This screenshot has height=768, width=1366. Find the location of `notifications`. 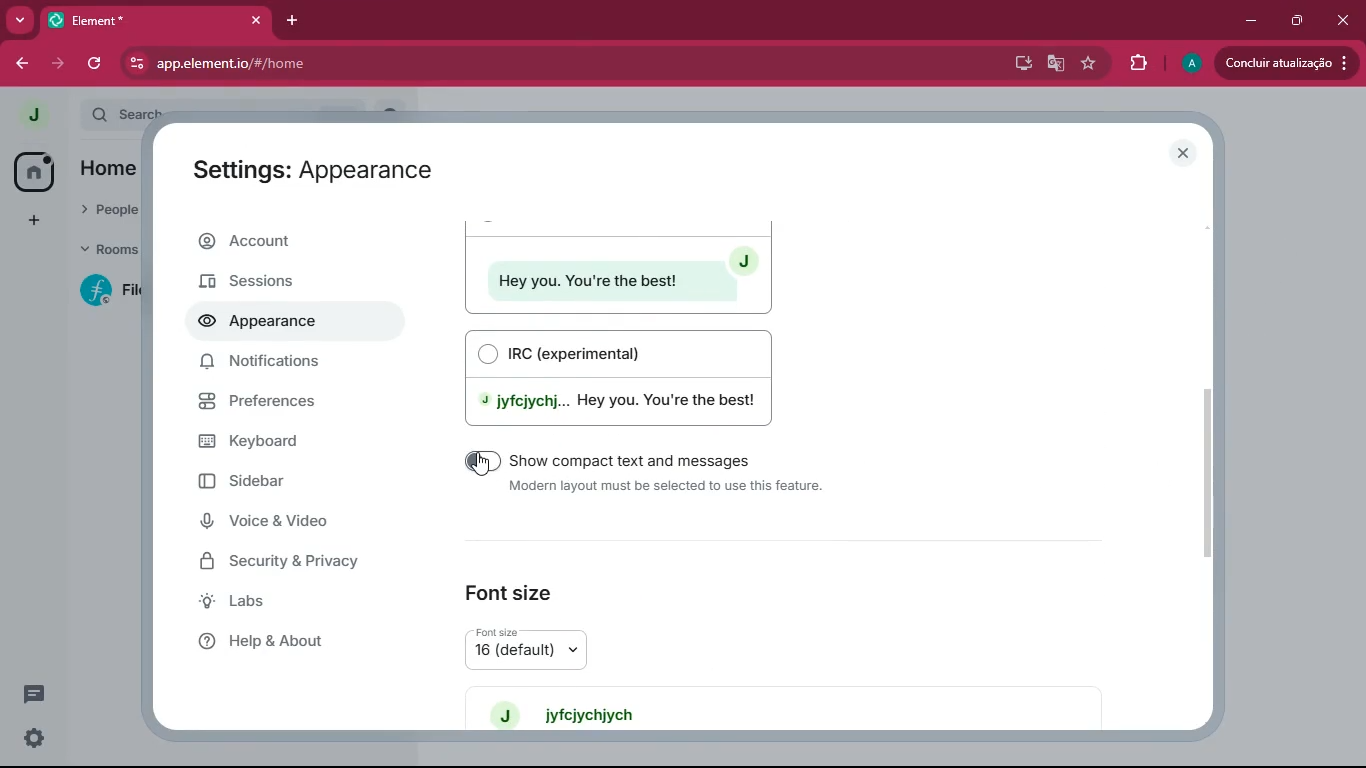

notifications is located at coordinates (285, 367).